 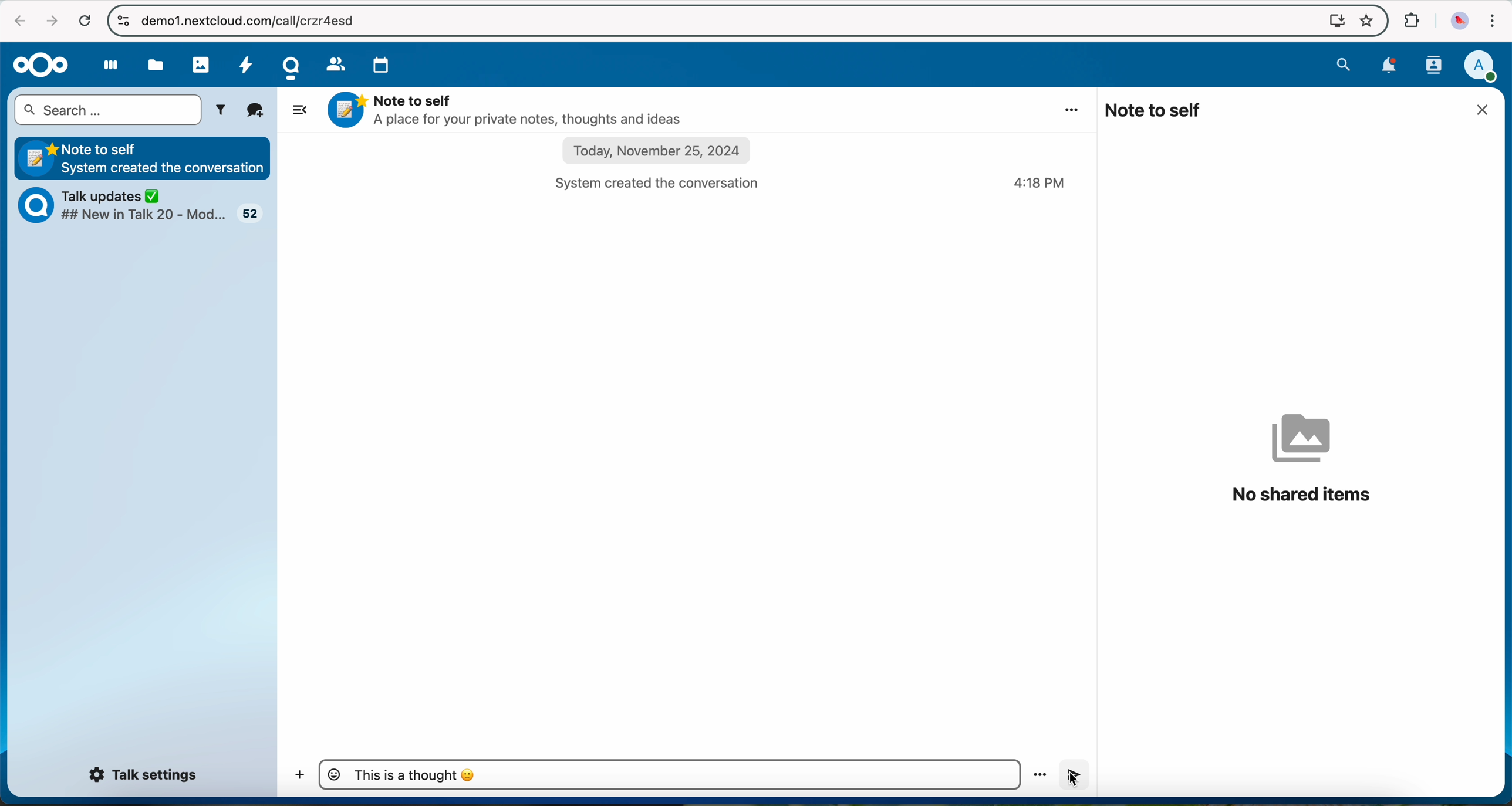 What do you see at coordinates (666, 182) in the screenshot?
I see `system created the conversation` at bounding box center [666, 182].